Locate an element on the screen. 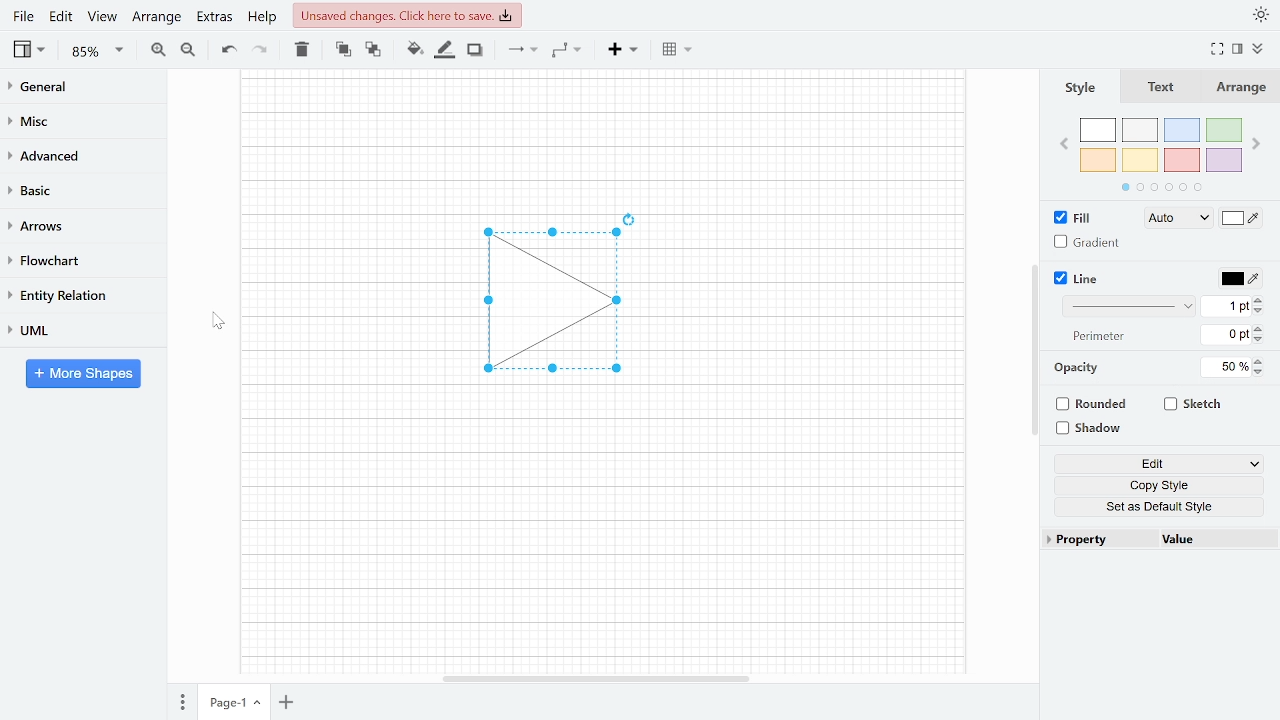  Delete is located at coordinates (300, 49).